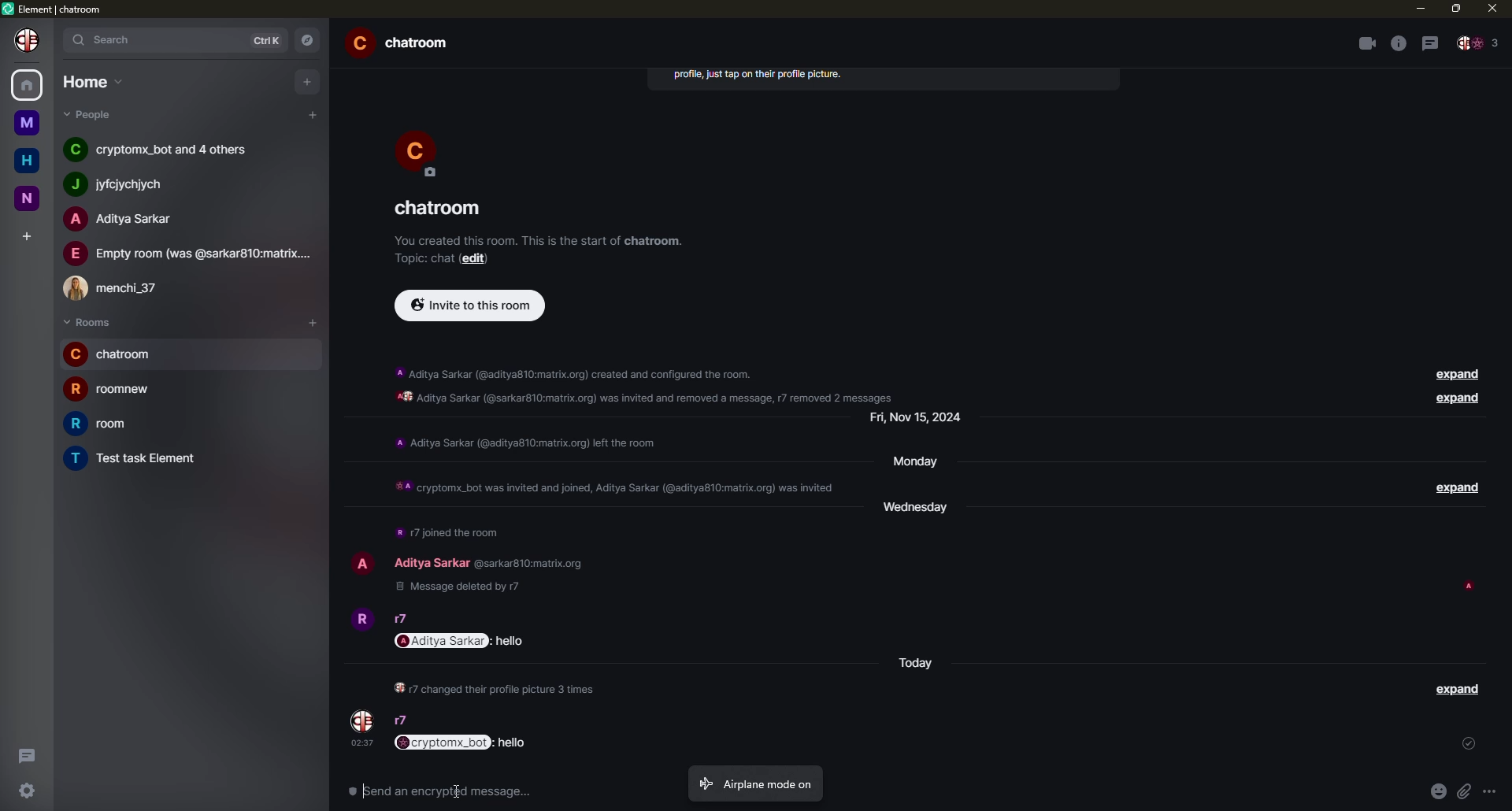 This screenshot has width=1512, height=811. I want to click on people, so click(126, 219).